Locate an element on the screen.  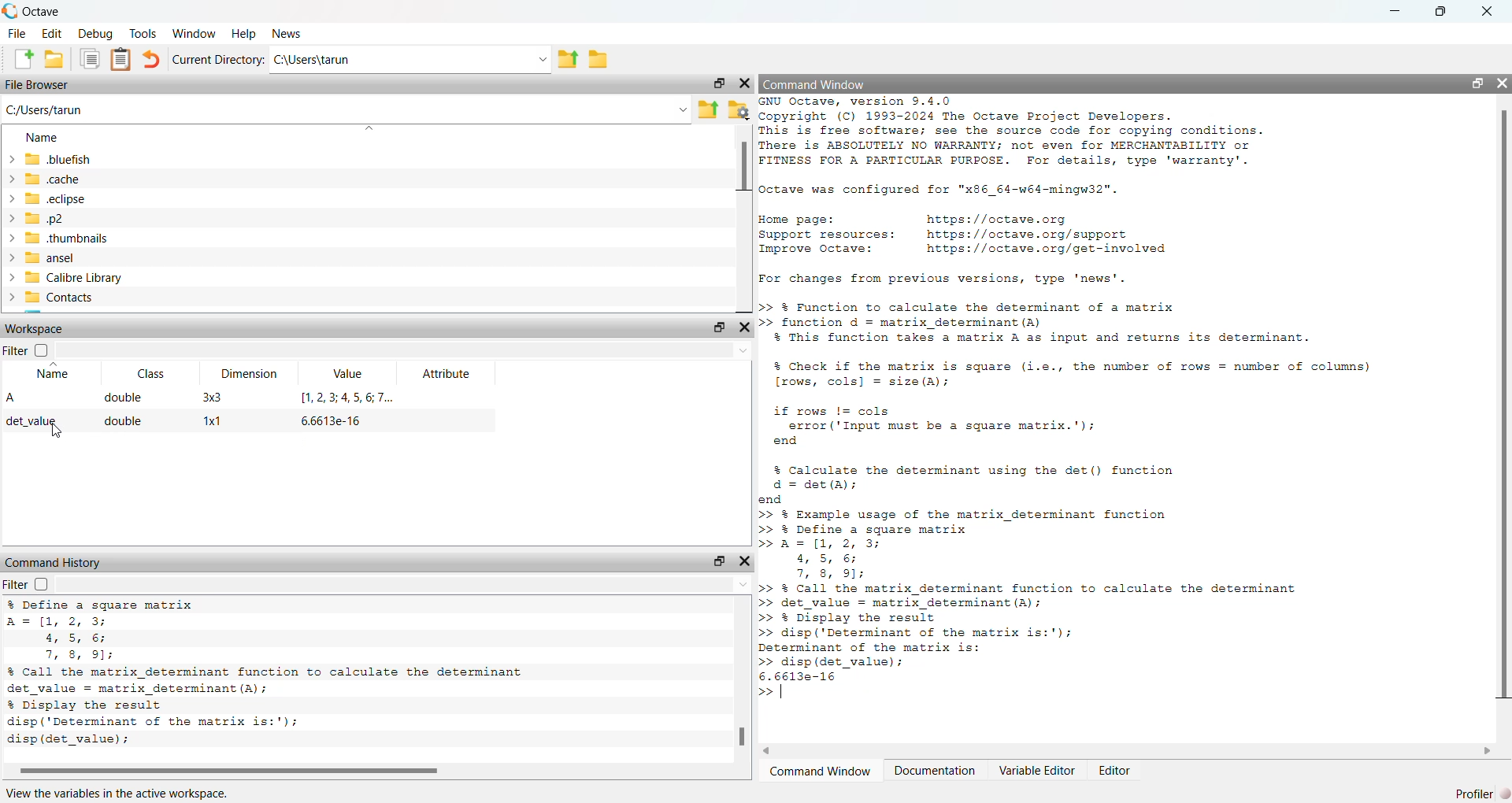
value is located at coordinates (350, 375).